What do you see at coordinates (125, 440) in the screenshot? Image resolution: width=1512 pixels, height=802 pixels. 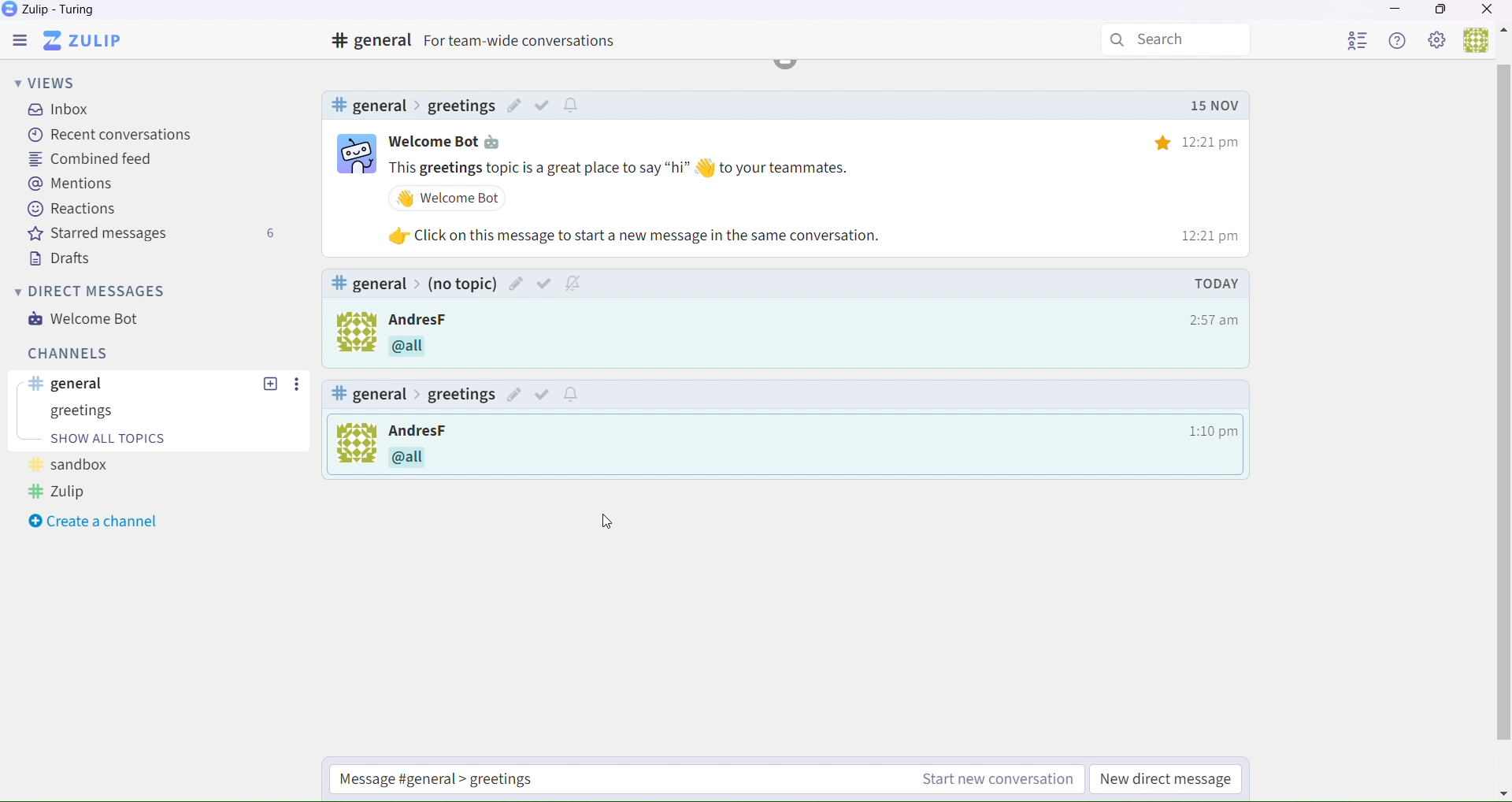 I see `start a conversation` at bounding box center [125, 440].